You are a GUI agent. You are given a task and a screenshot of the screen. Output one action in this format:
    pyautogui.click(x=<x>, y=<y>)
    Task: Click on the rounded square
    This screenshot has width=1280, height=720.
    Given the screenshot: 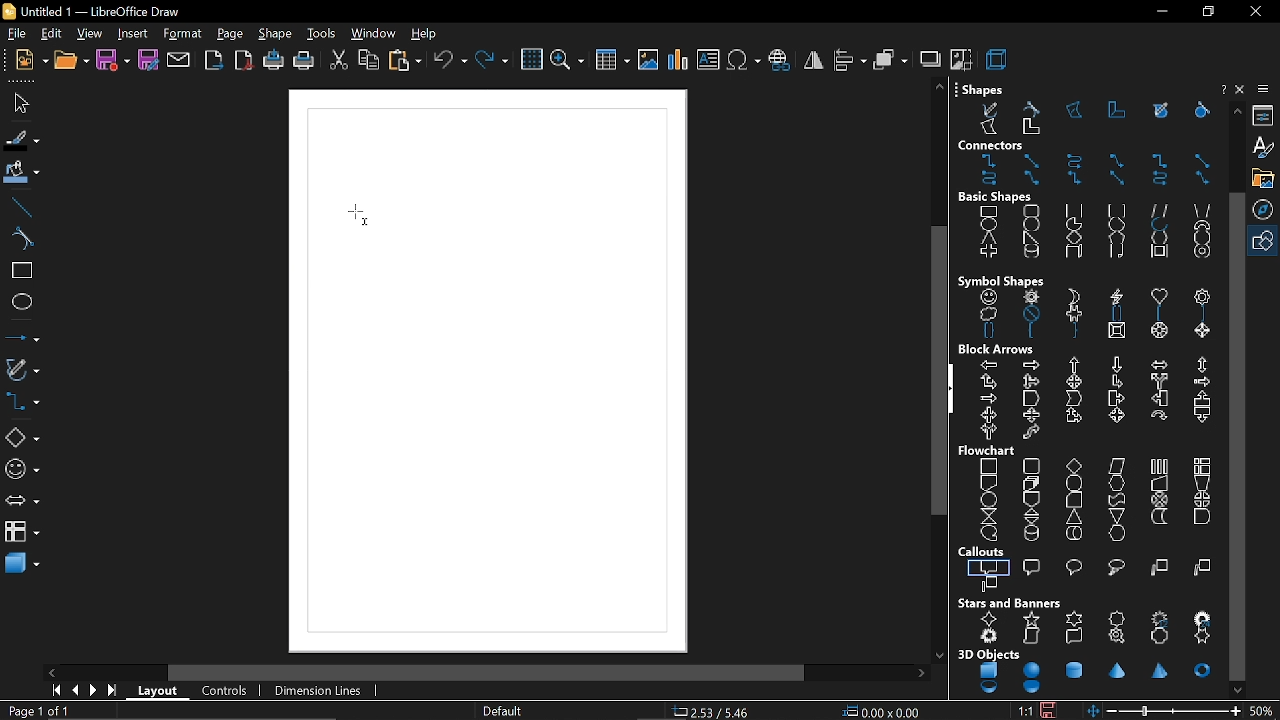 What is the action you would take?
    pyautogui.click(x=1115, y=210)
    